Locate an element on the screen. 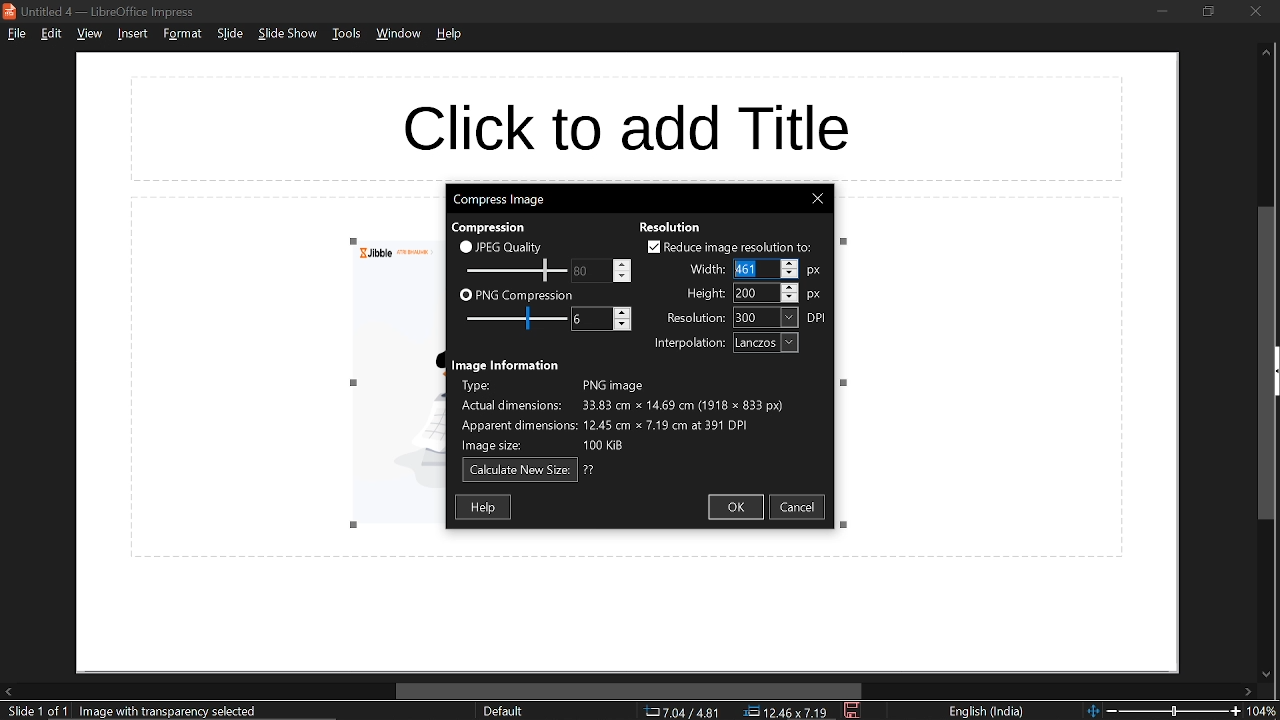  Increase  is located at coordinates (791, 286).